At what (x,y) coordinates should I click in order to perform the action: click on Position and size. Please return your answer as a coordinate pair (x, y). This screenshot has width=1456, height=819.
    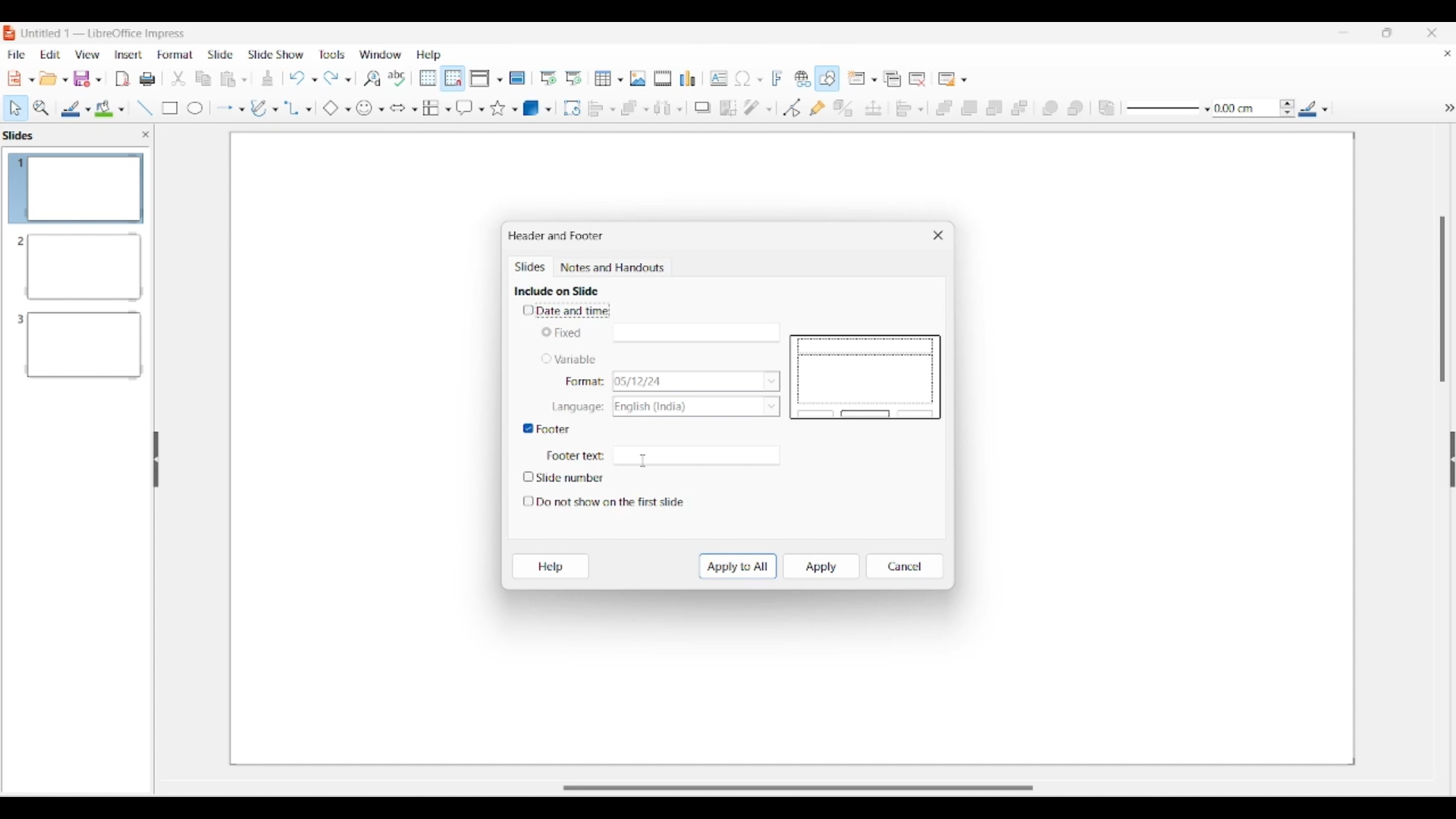
    Looking at the image, I should click on (874, 108).